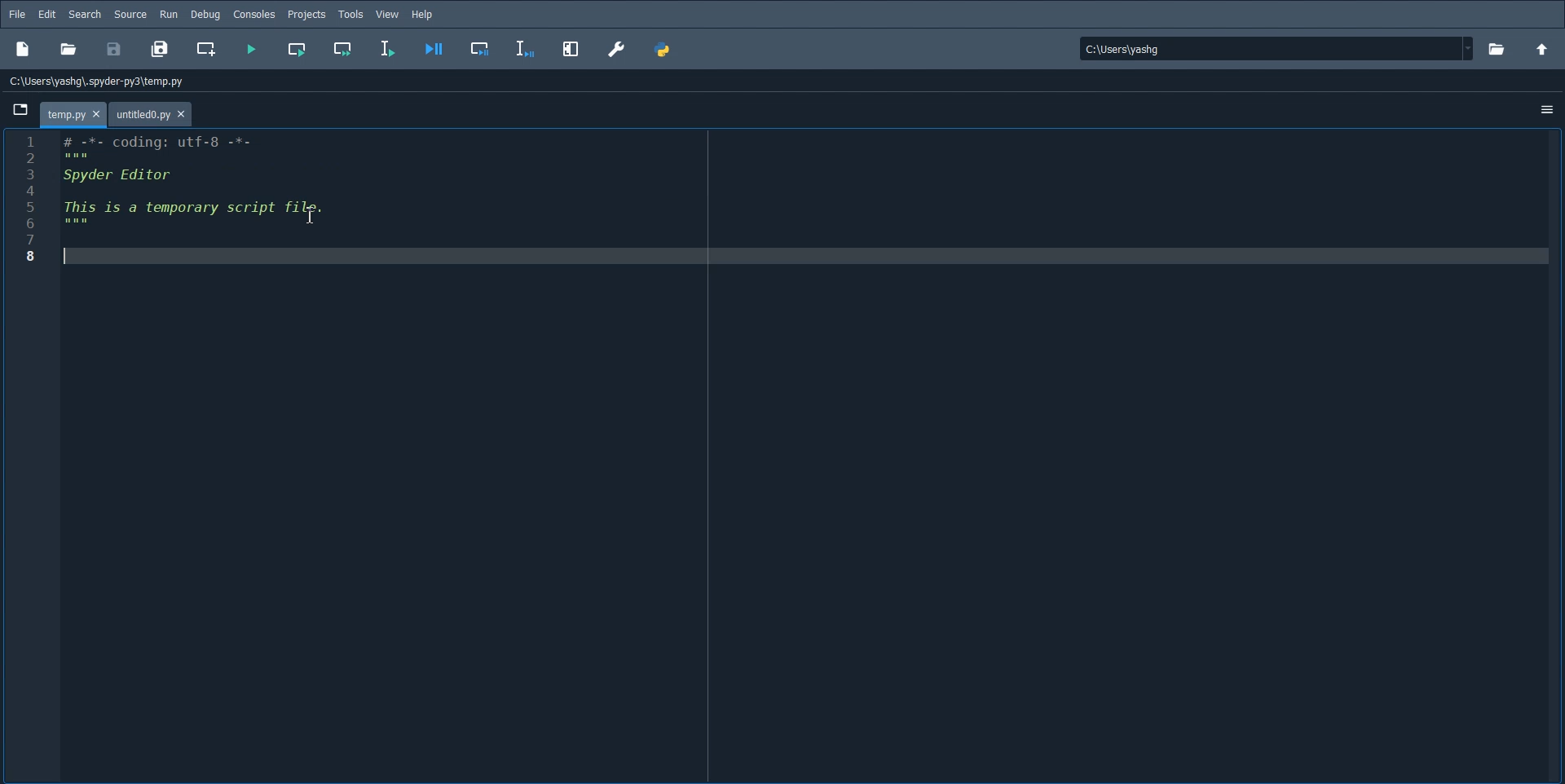  I want to click on File, so click(152, 114).